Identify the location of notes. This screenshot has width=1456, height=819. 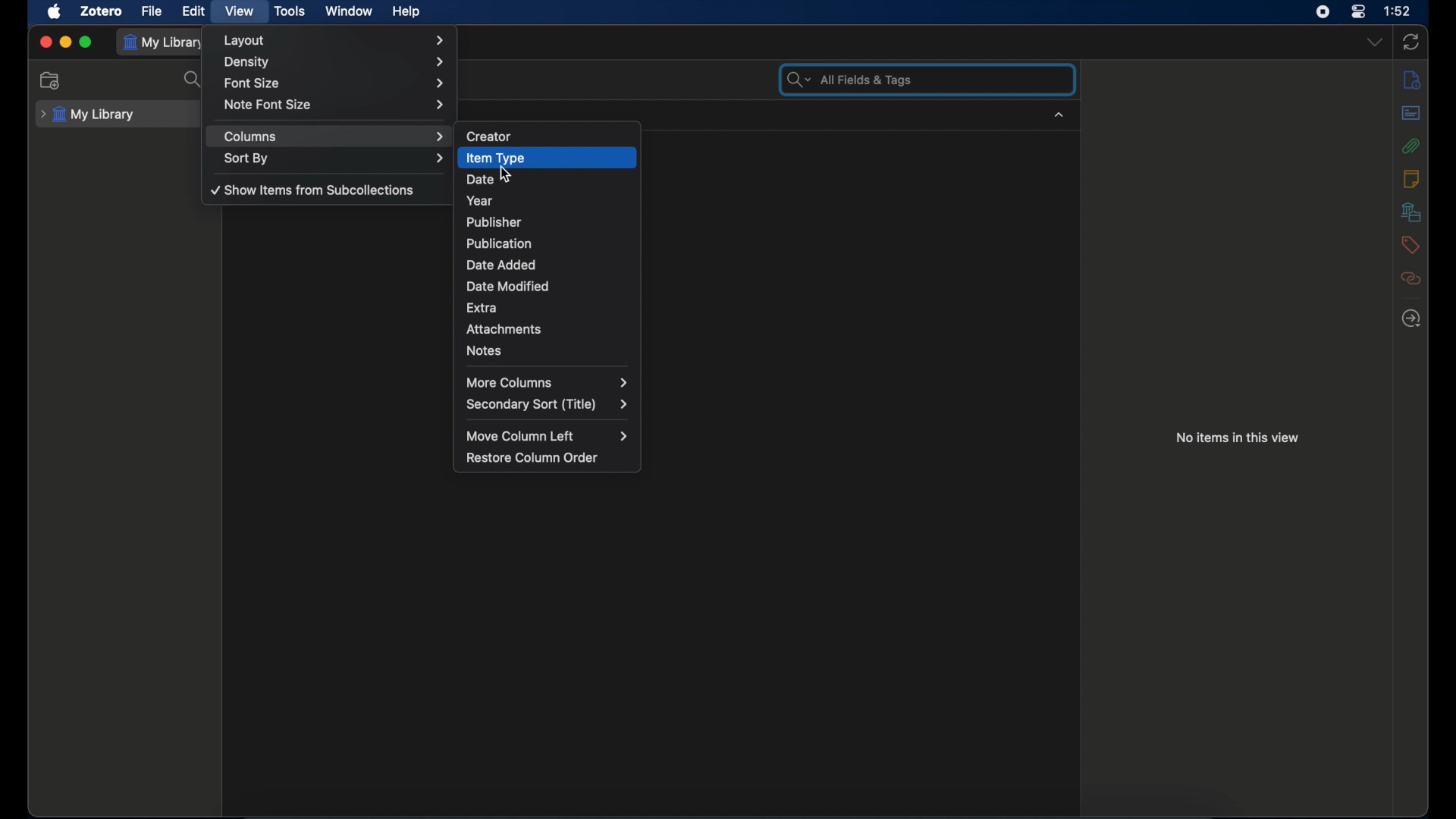
(1411, 178).